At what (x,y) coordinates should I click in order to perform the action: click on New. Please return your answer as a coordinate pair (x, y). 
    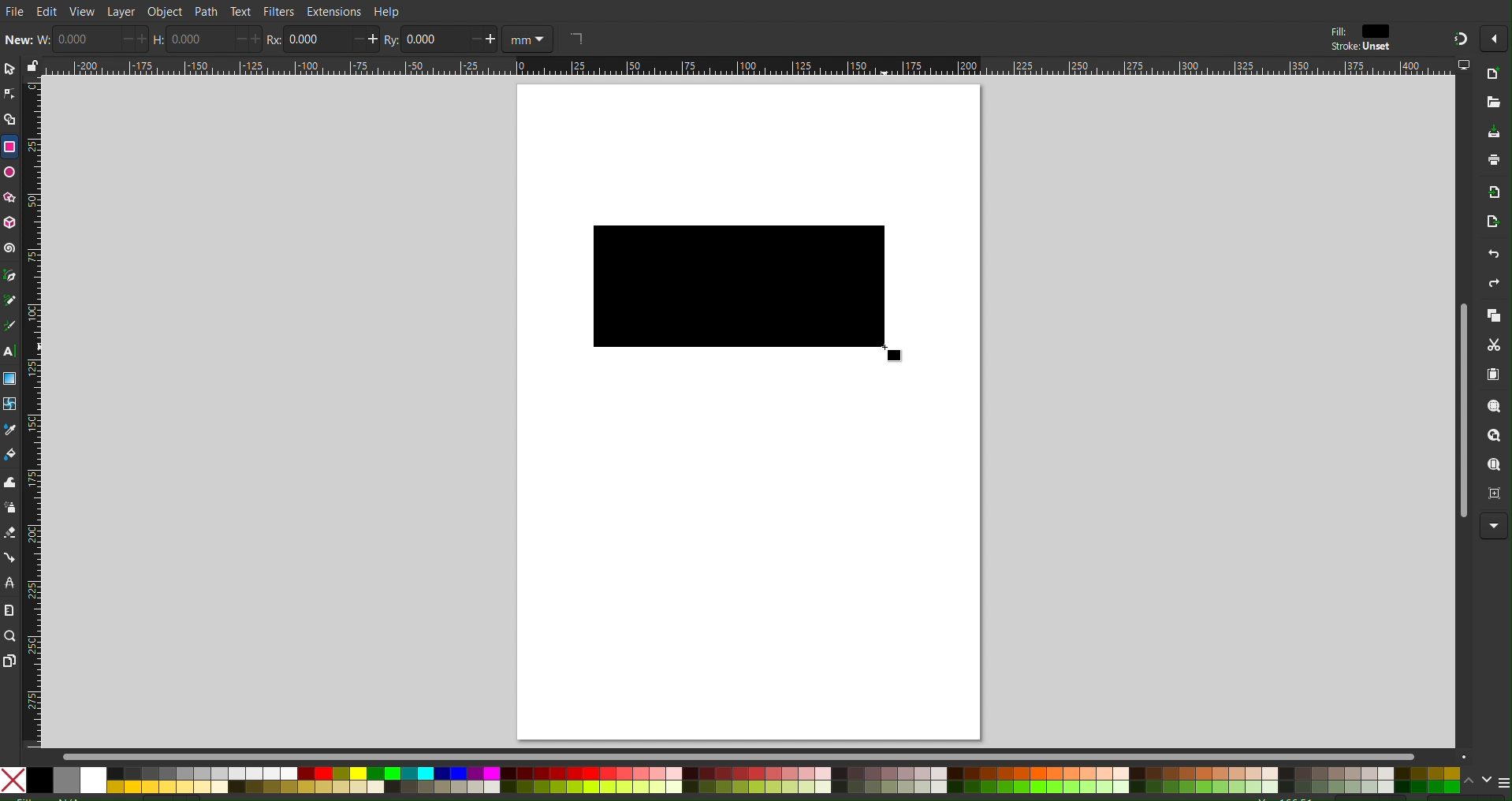
    Looking at the image, I should click on (1493, 75).